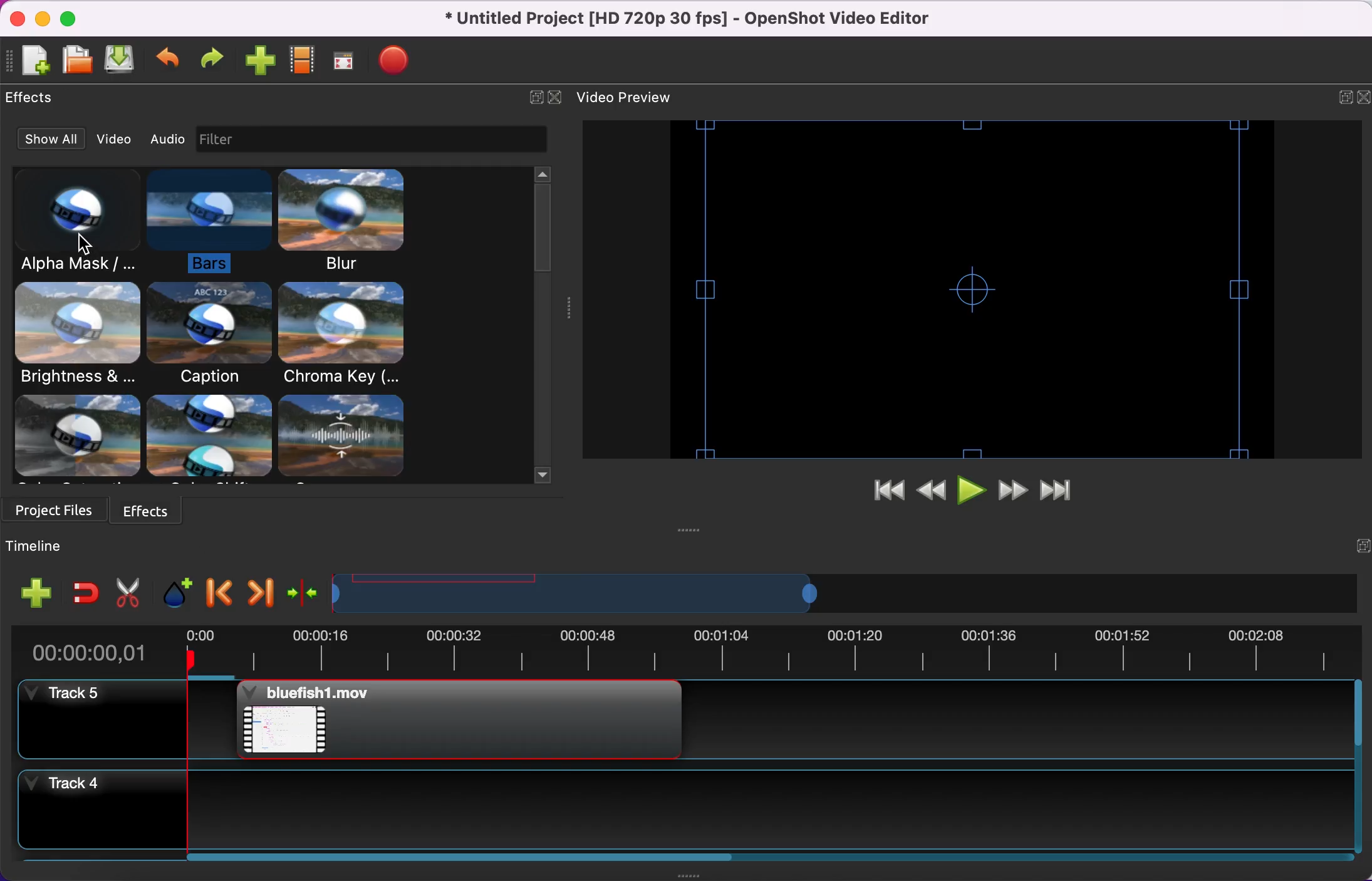 This screenshot has height=881, width=1372. I want to click on caption, so click(207, 335).